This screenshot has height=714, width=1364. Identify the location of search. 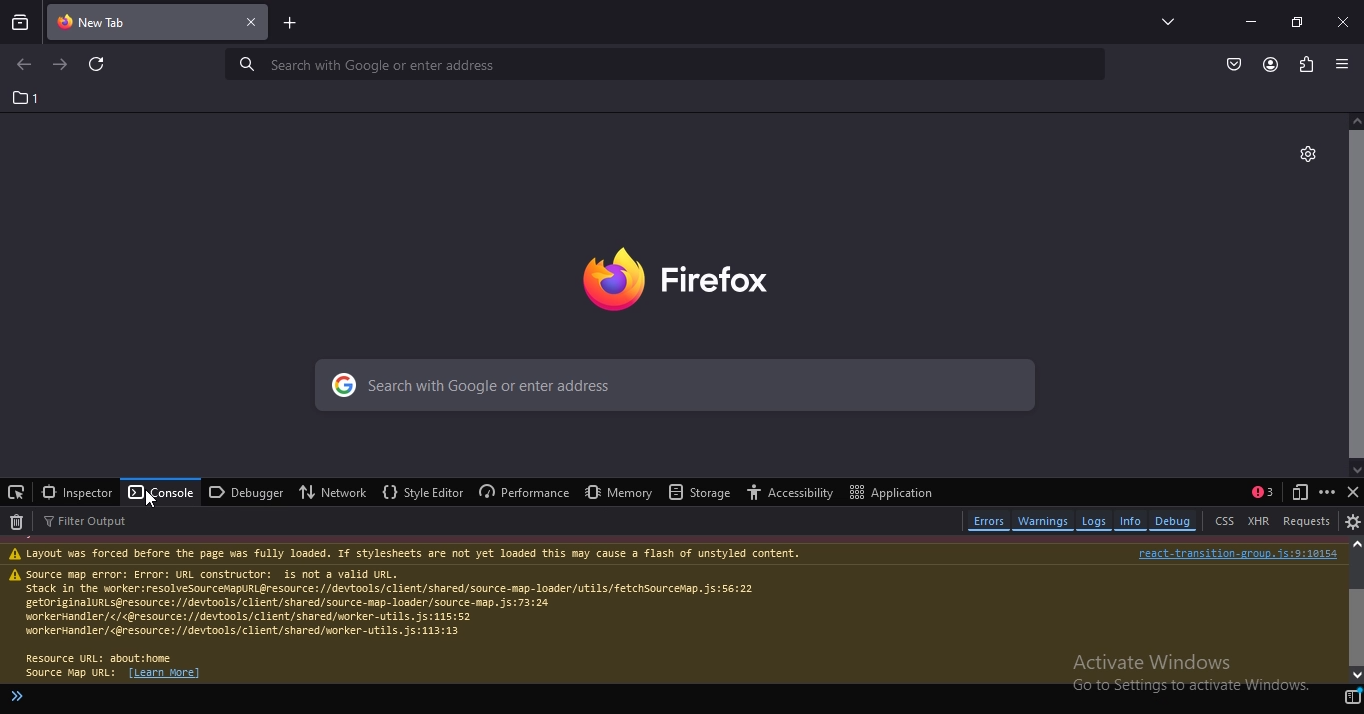
(676, 386).